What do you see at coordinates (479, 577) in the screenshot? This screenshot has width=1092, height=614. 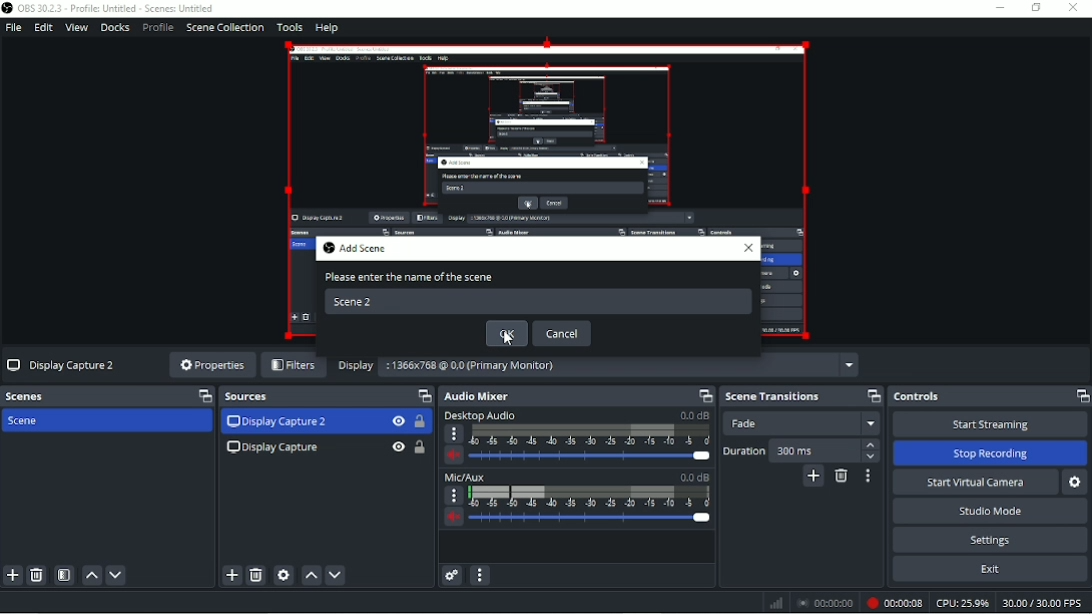 I see `Audio mixer menu` at bounding box center [479, 577].